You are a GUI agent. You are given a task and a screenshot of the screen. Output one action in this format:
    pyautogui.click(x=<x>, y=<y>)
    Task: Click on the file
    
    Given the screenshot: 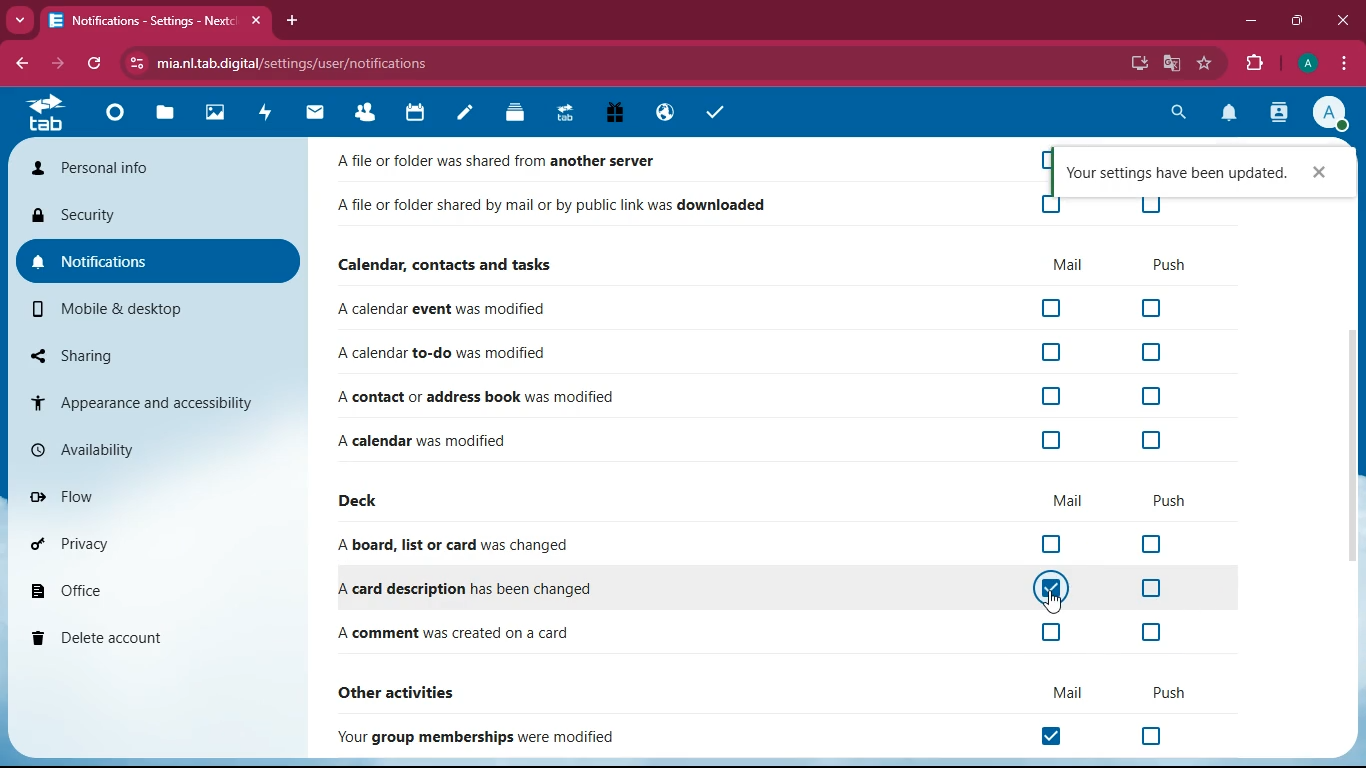 What is the action you would take?
    pyautogui.click(x=162, y=113)
    